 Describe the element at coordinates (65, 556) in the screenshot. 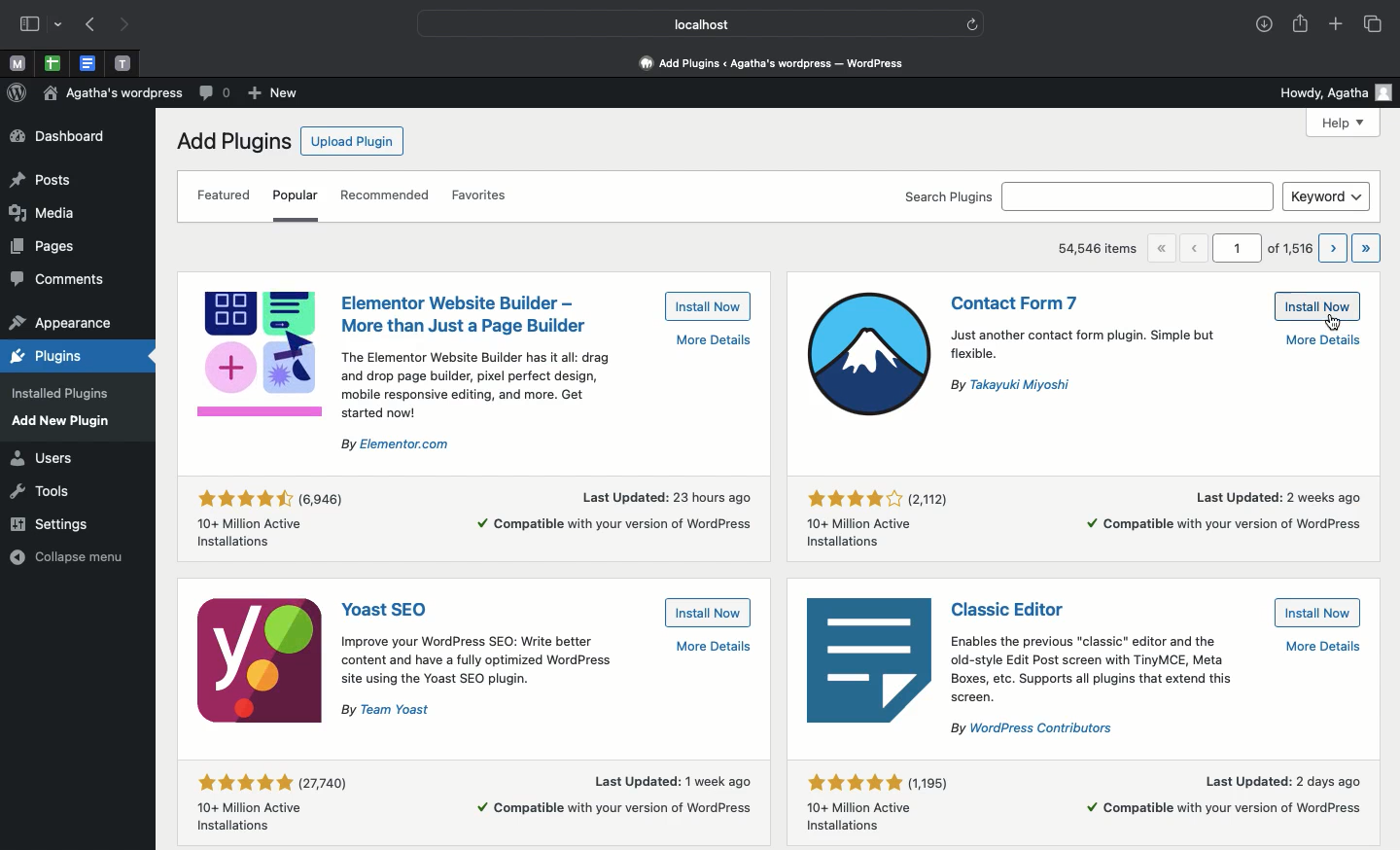

I see `collapse menu` at that location.